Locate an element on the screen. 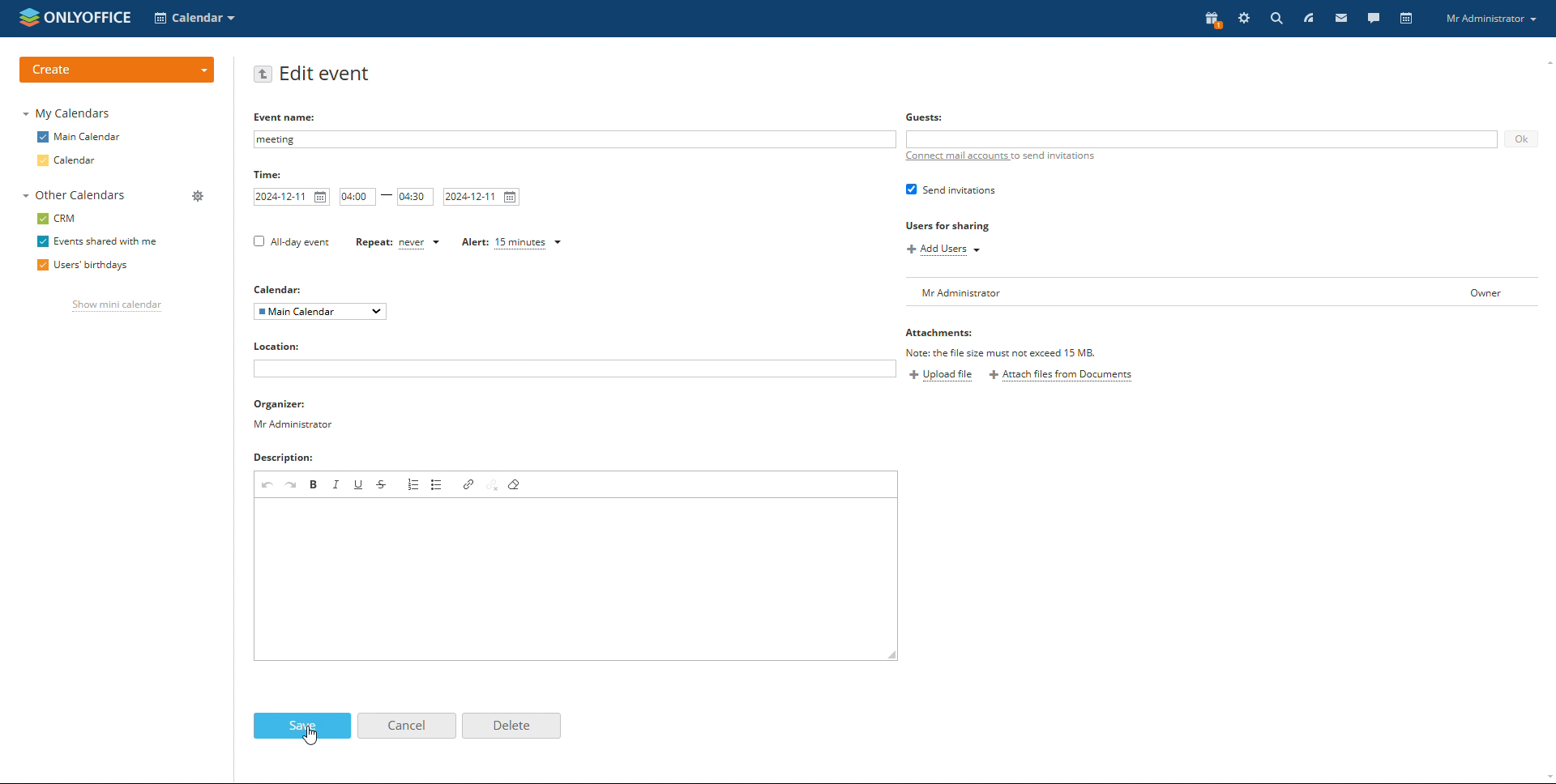  create is located at coordinates (116, 70).